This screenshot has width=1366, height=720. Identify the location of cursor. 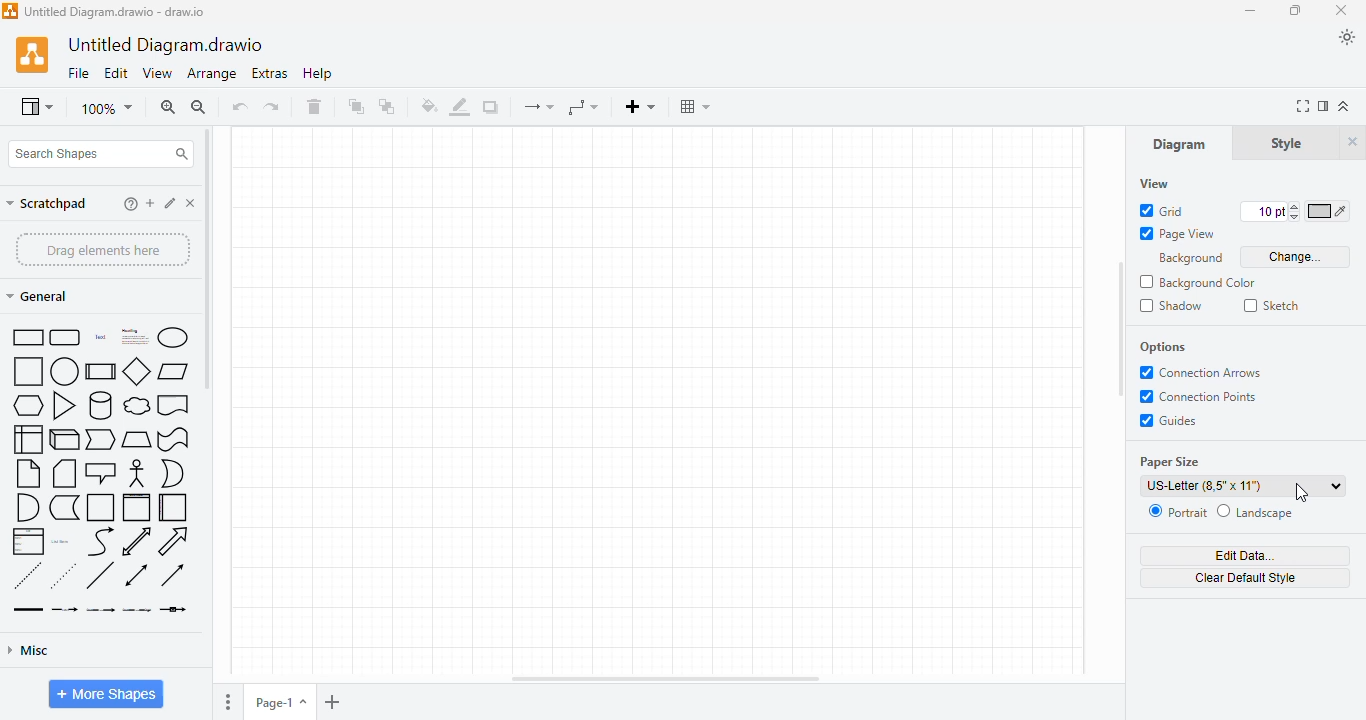
(1303, 493).